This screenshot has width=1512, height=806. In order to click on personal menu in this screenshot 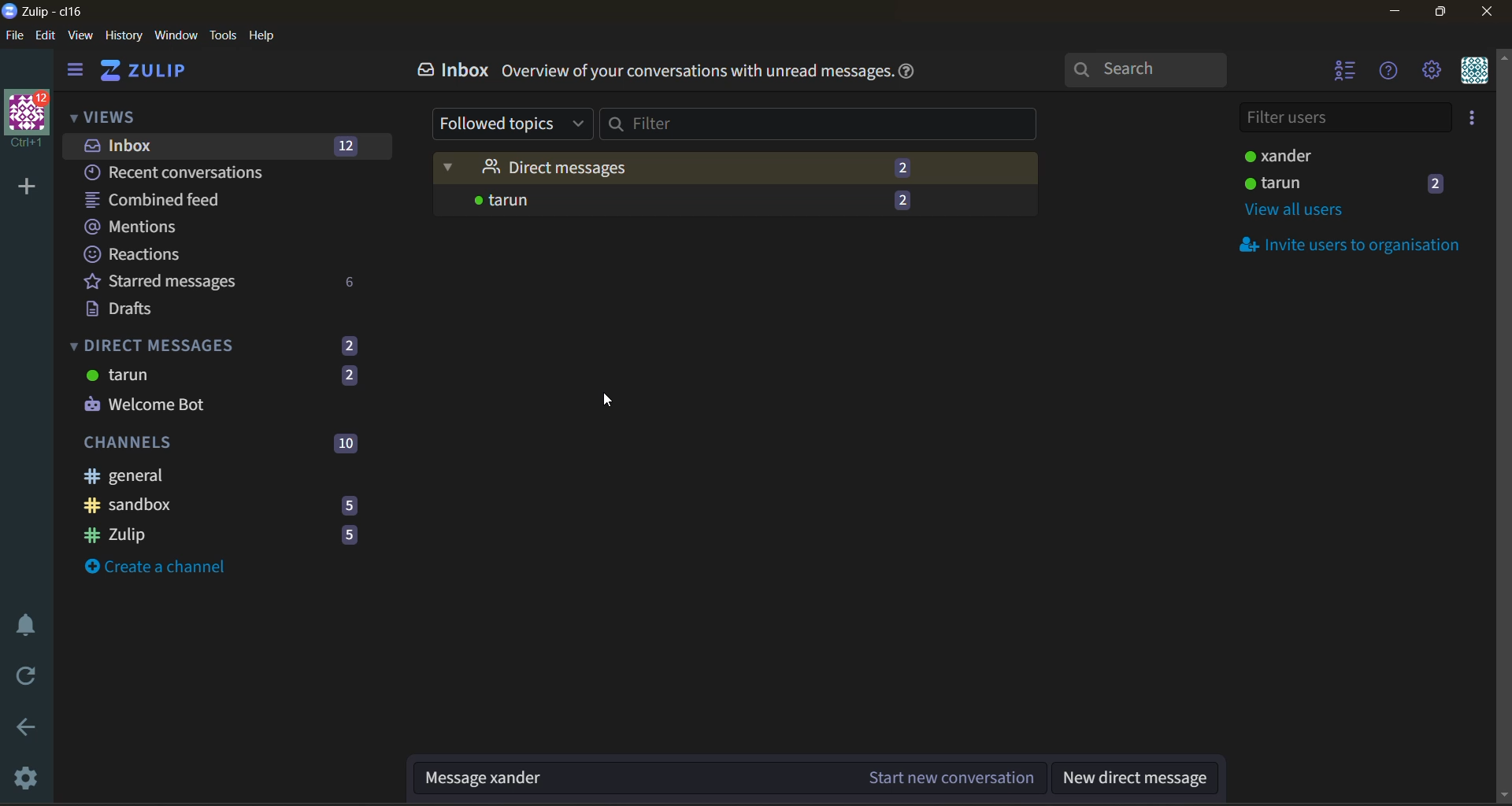, I will do `click(1473, 73)`.